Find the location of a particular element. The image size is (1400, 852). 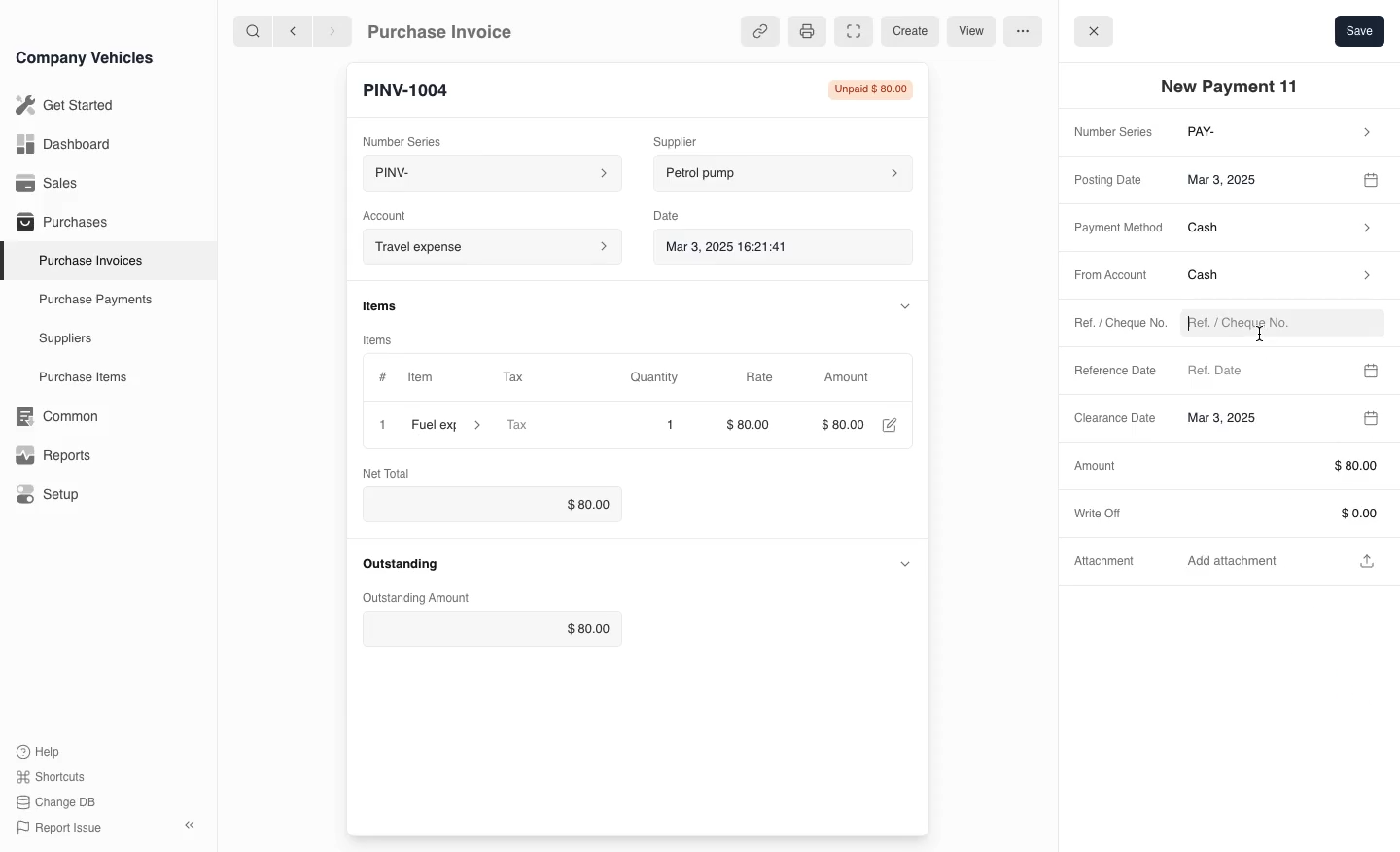

New Payment 11 is located at coordinates (1235, 87).